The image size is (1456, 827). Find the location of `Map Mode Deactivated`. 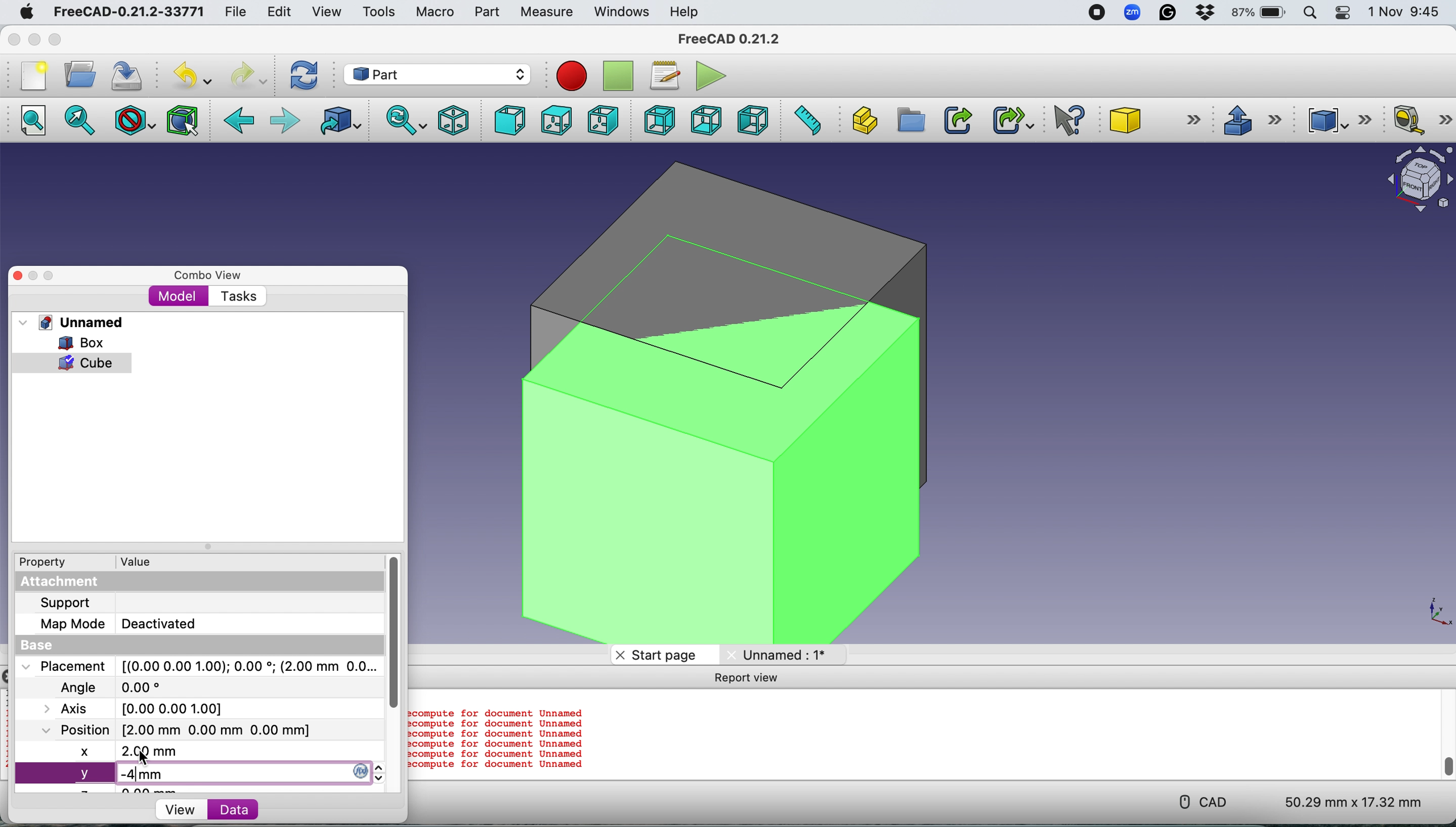

Map Mode Deactivated is located at coordinates (118, 624).